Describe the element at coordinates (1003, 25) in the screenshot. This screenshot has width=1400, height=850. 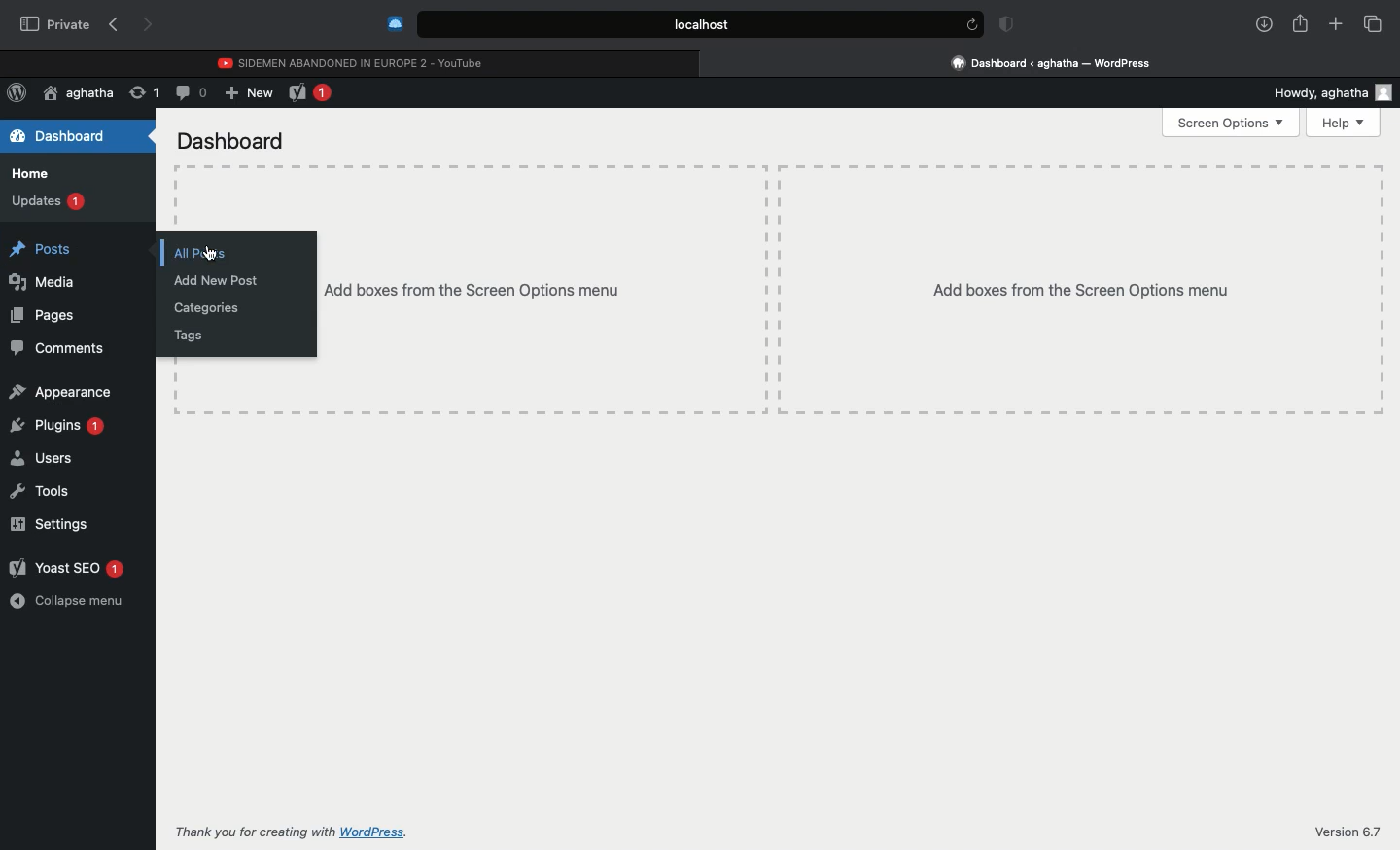
I see `Badge` at that location.